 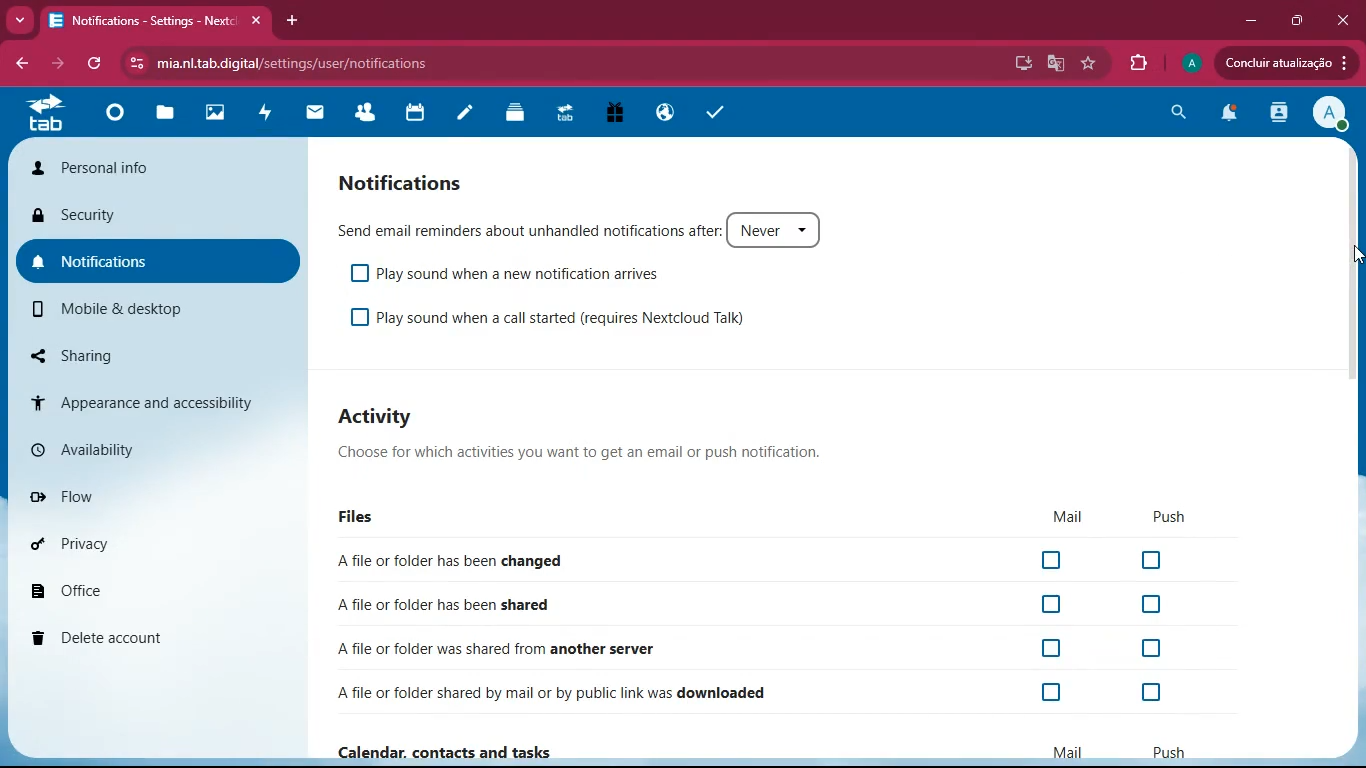 I want to click on refresh, so click(x=98, y=64).